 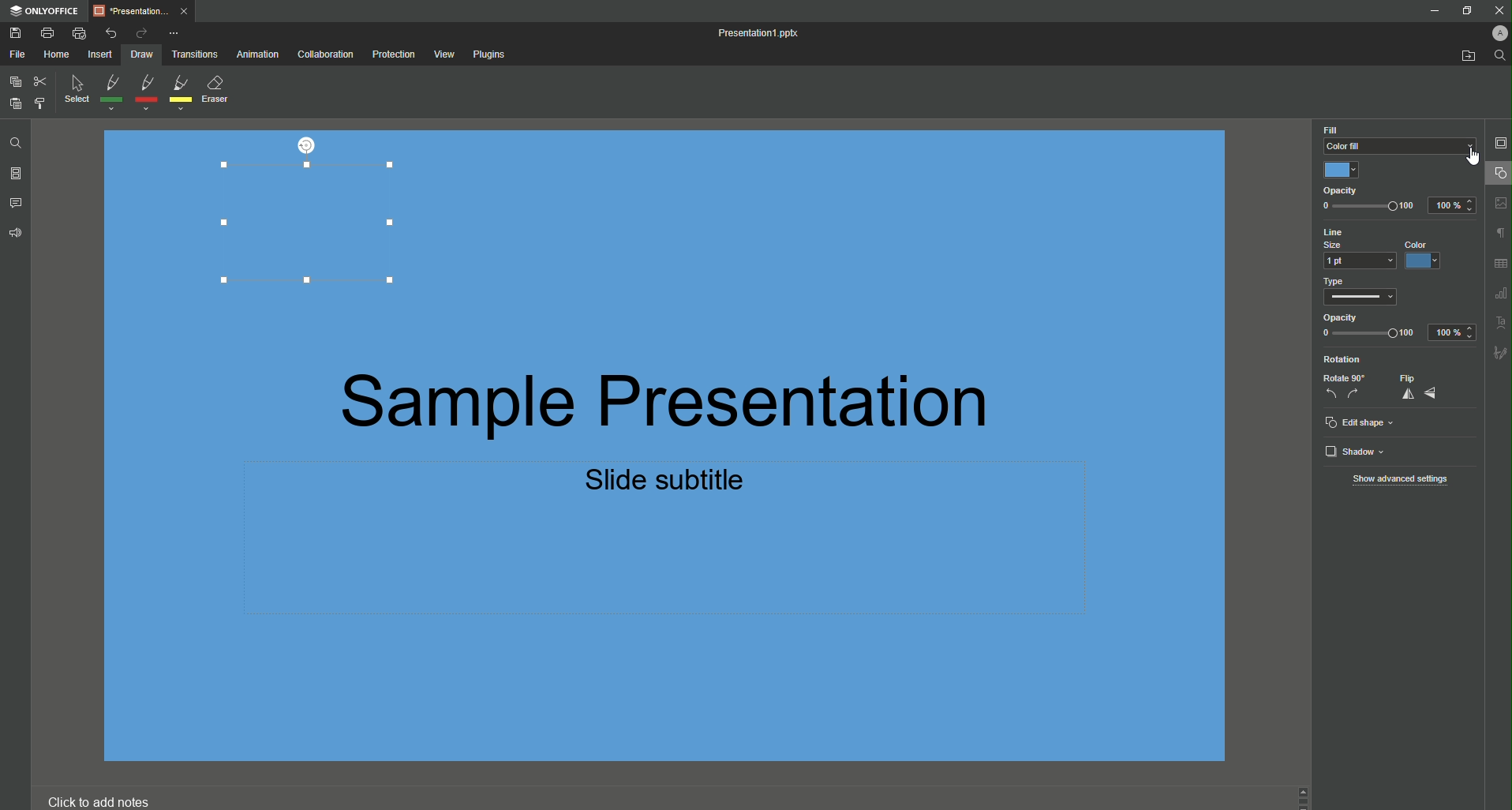 What do you see at coordinates (52, 33) in the screenshot?
I see `Print` at bounding box center [52, 33].